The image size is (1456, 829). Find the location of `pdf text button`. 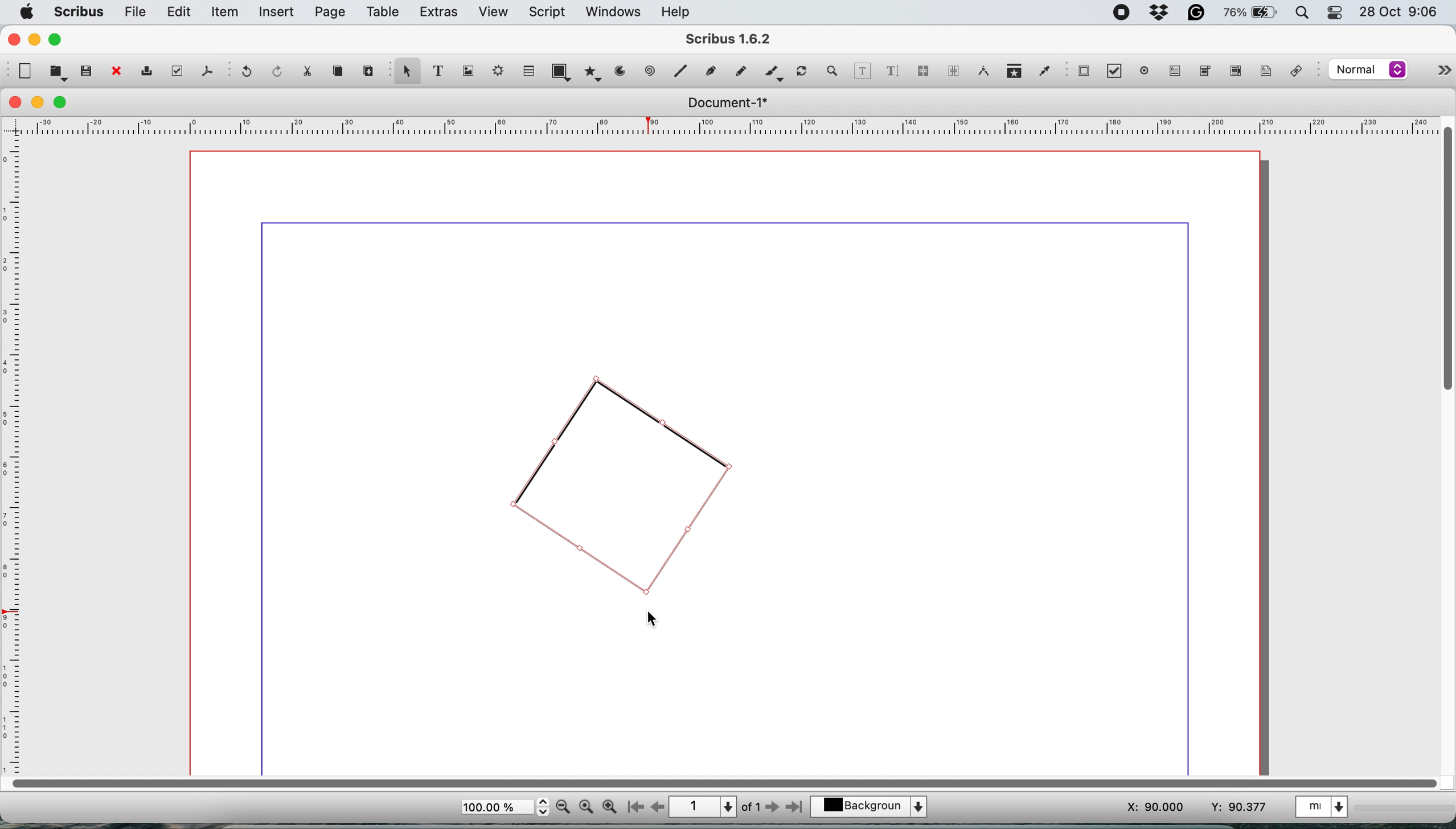

pdf text button is located at coordinates (1176, 71).